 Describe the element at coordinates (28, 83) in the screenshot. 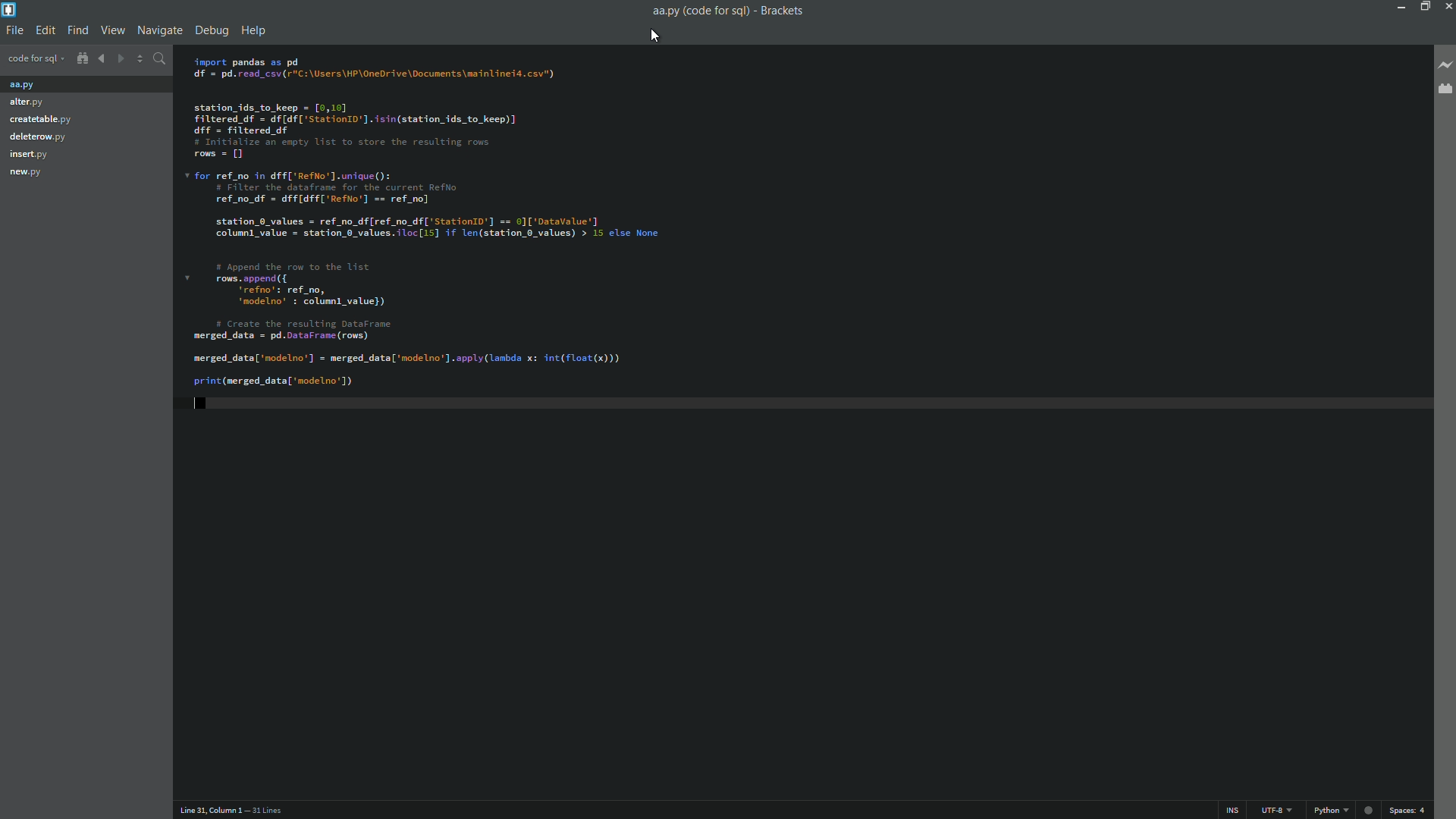

I see `project files 1` at that location.